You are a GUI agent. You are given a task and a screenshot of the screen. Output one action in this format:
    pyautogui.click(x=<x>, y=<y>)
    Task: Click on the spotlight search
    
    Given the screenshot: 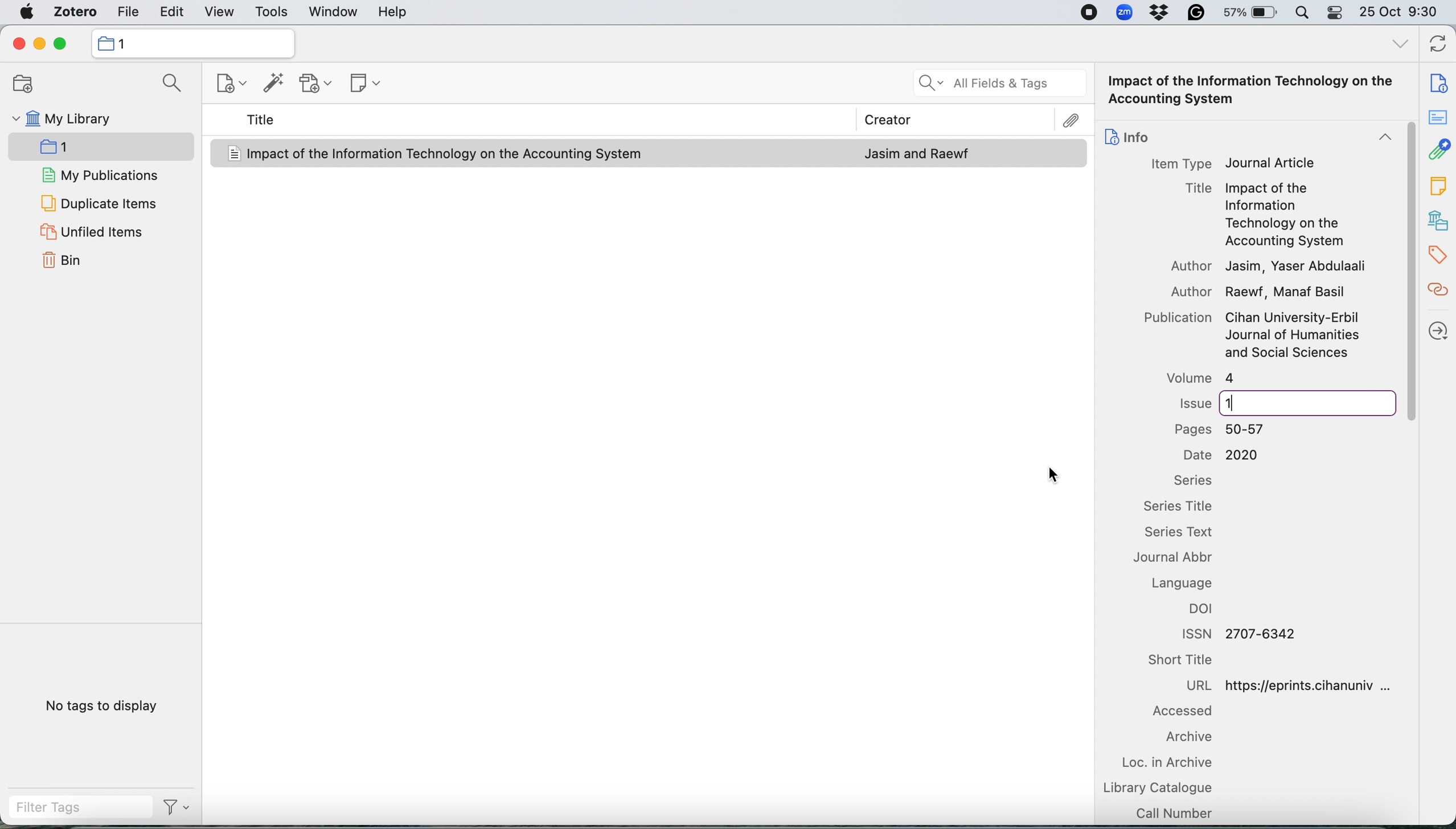 What is the action you would take?
    pyautogui.click(x=1302, y=13)
    